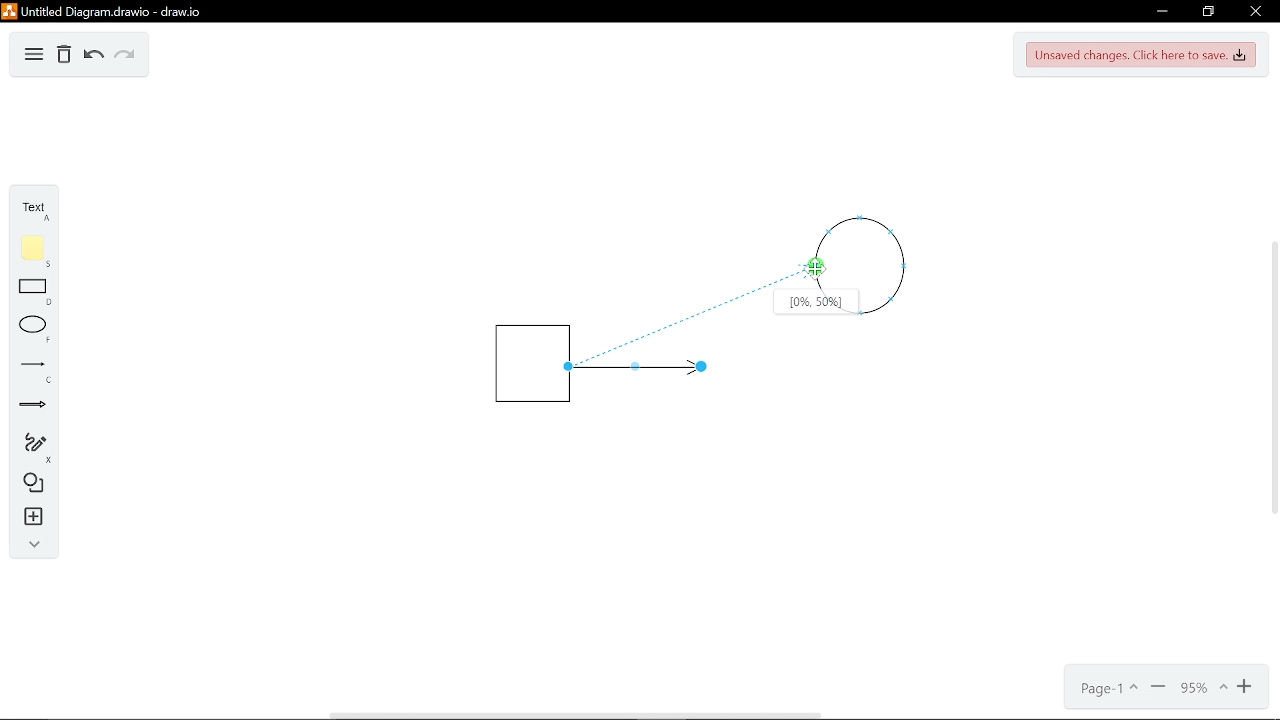  What do you see at coordinates (35, 55) in the screenshot?
I see `Diagram` at bounding box center [35, 55].